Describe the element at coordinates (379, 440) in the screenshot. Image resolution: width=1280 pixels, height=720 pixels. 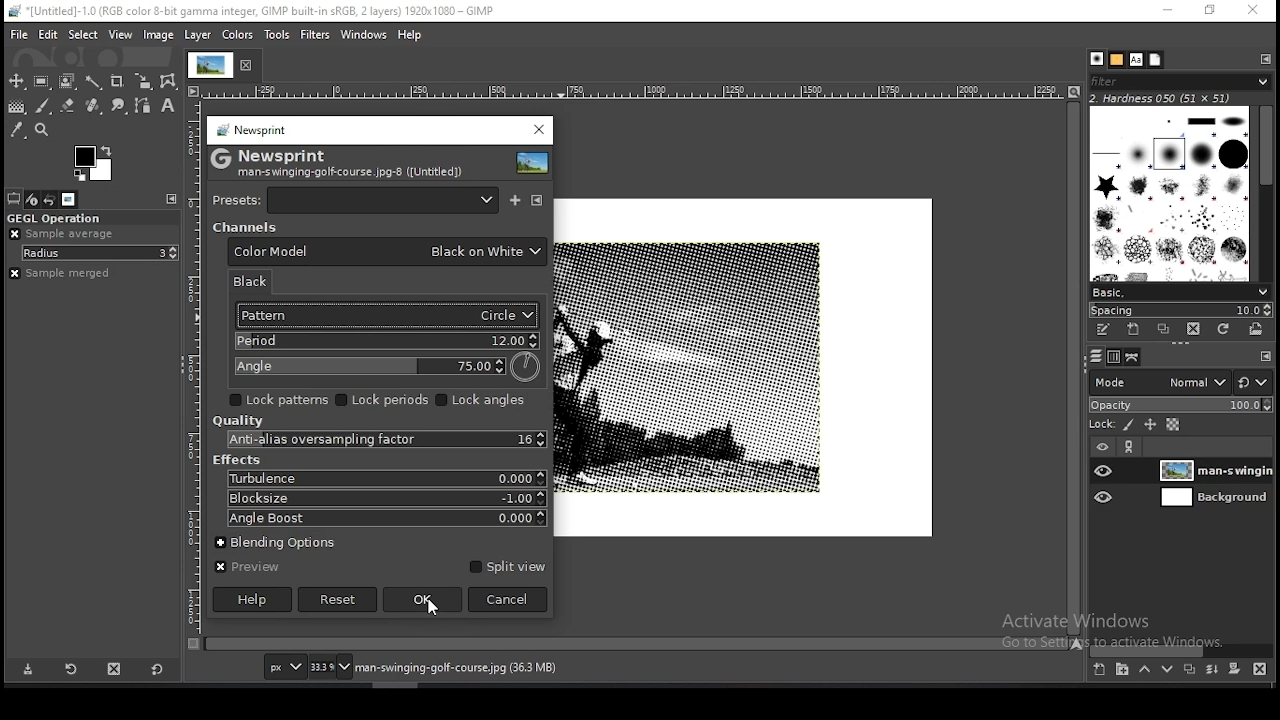
I see `anti-aliasing oversampling factor` at that location.